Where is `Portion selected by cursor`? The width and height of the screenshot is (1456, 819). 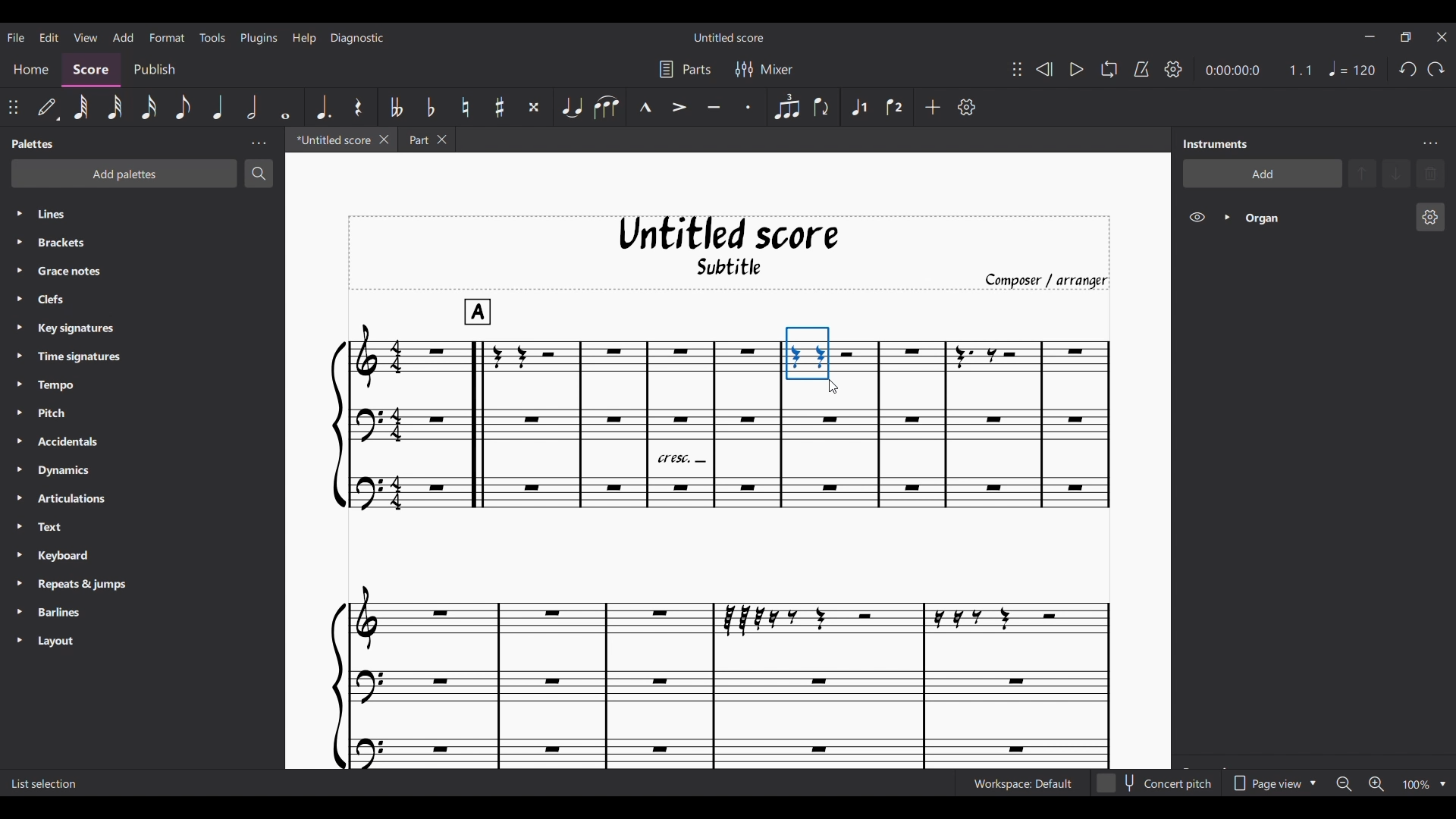 Portion selected by cursor is located at coordinates (808, 353).